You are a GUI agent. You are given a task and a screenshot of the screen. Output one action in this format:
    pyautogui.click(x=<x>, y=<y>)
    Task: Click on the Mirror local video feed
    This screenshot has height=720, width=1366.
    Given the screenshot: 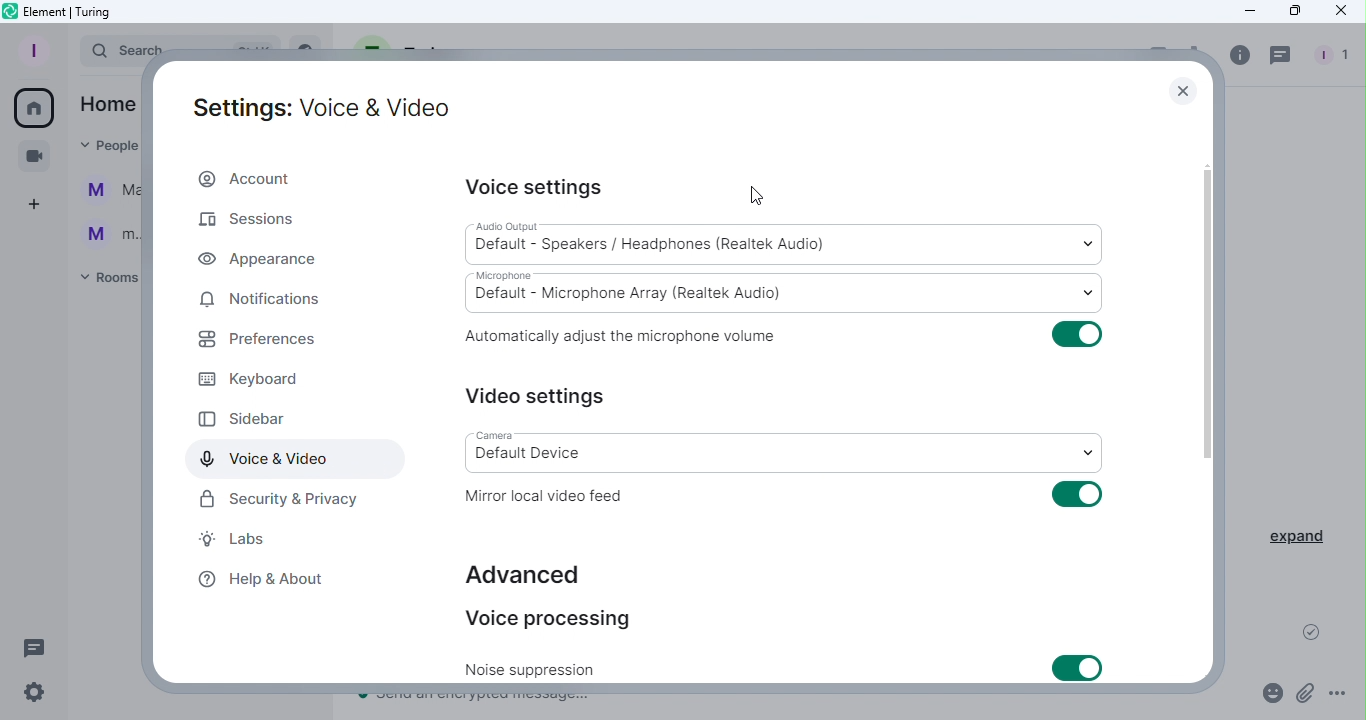 What is the action you would take?
    pyautogui.click(x=549, y=495)
    